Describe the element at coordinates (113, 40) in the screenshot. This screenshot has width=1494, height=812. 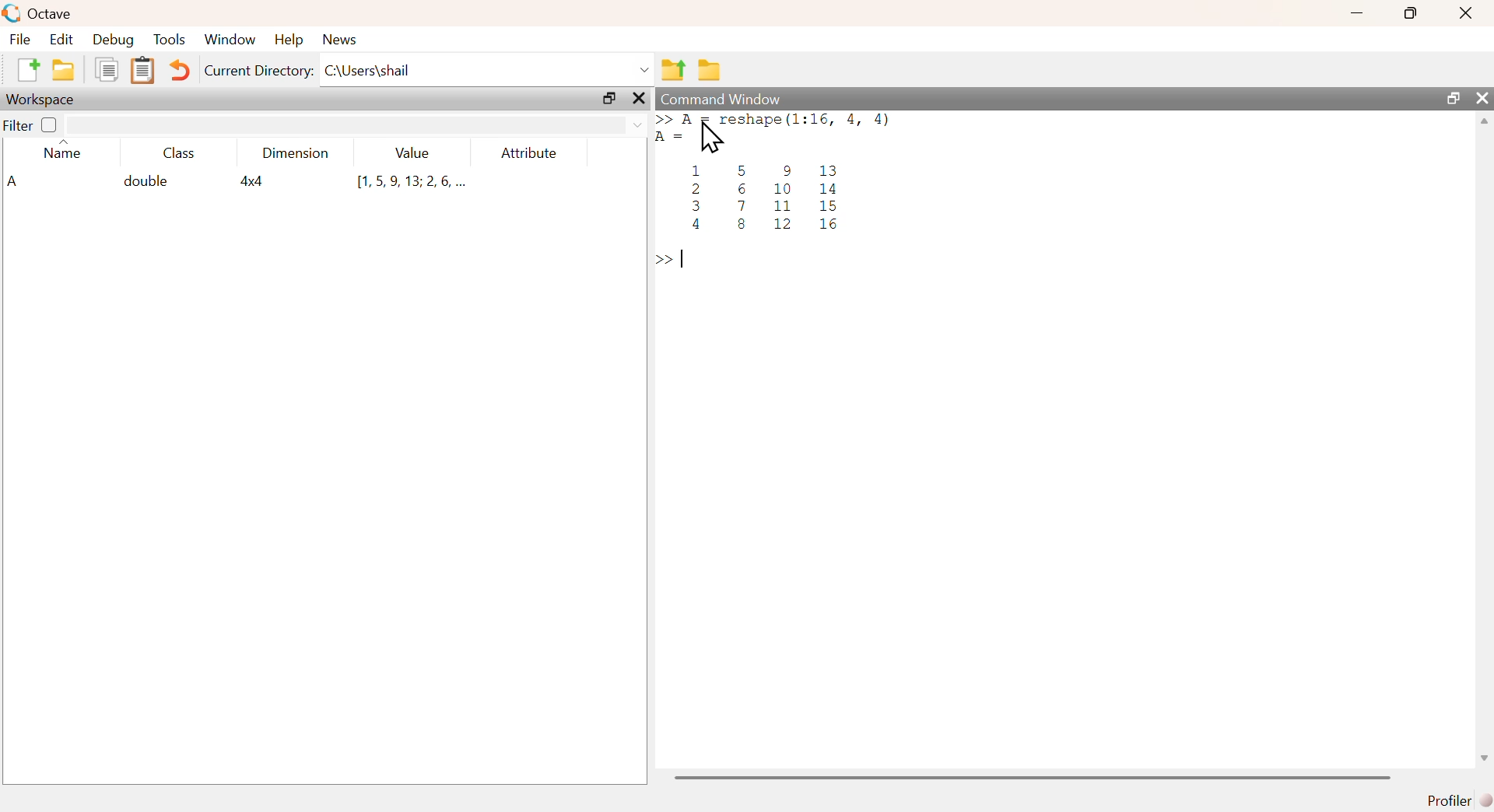
I see `Debug` at that location.